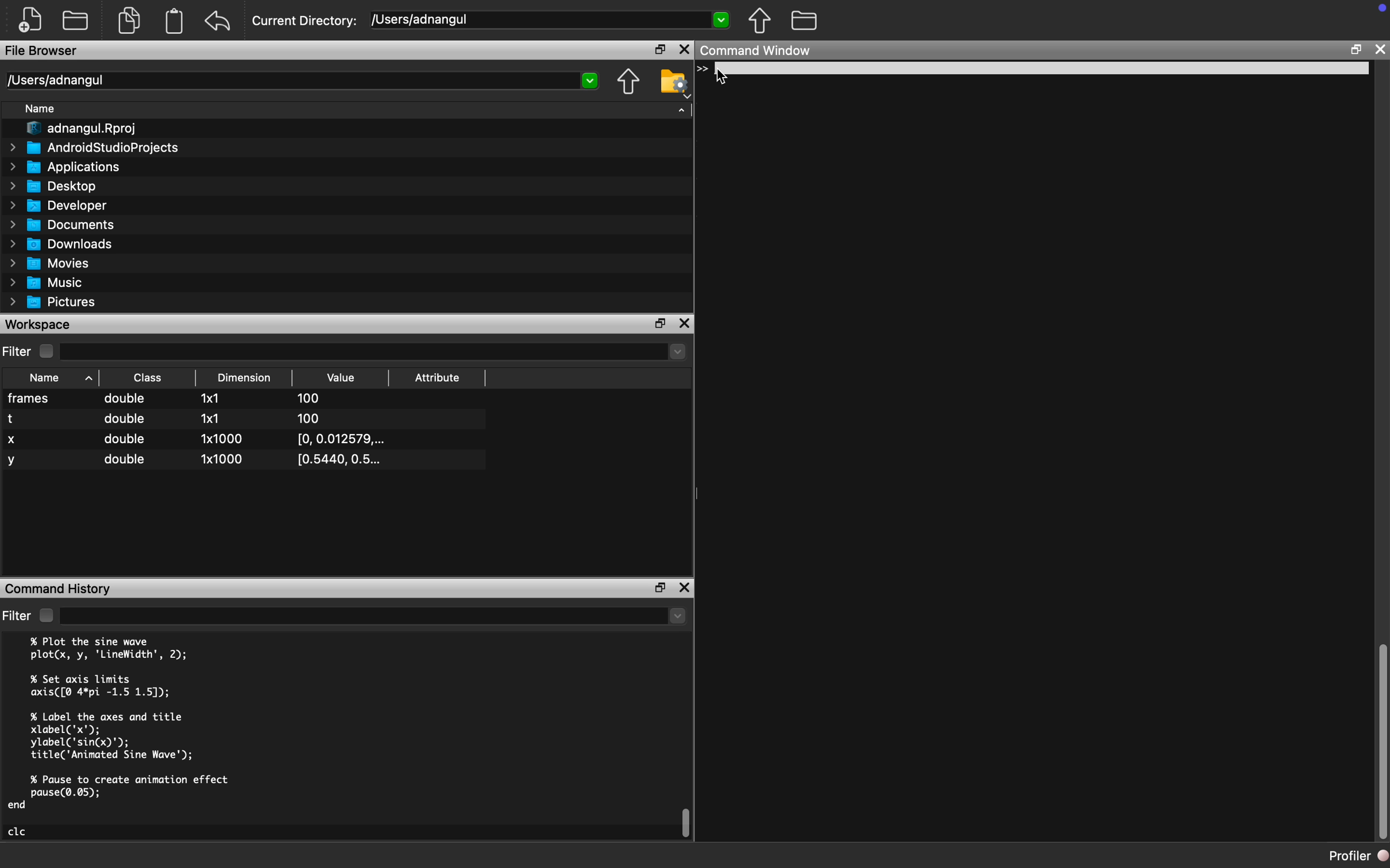 This screenshot has width=1390, height=868. What do you see at coordinates (29, 18) in the screenshot?
I see `New File` at bounding box center [29, 18].